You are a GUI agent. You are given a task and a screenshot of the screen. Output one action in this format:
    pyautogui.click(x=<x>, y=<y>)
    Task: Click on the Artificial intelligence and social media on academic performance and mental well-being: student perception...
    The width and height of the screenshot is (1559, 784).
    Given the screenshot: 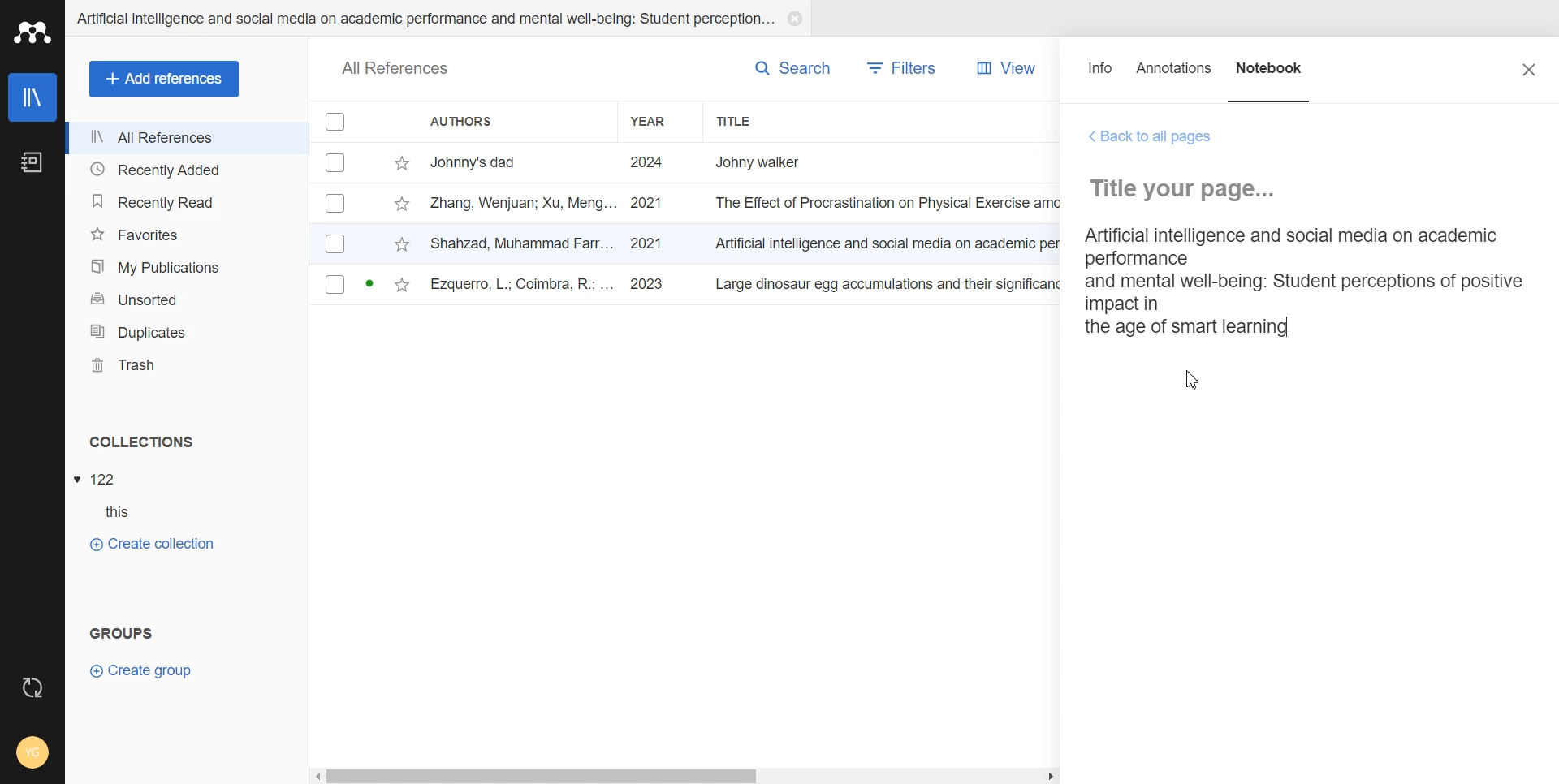 What is the action you would take?
    pyautogui.click(x=424, y=19)
    